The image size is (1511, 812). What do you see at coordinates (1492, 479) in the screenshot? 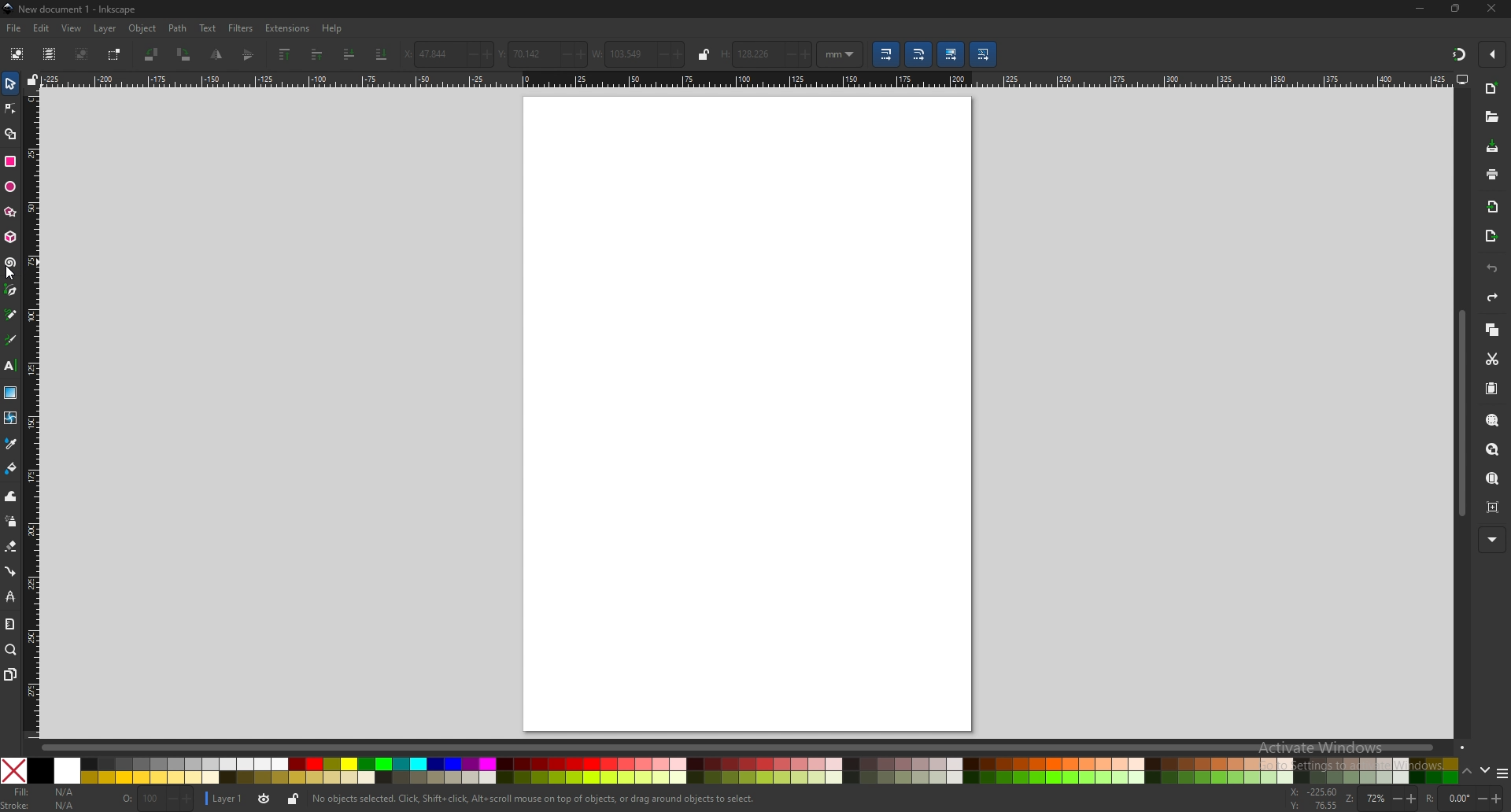
I see `zoom page` at bounding box center [1492, 479].